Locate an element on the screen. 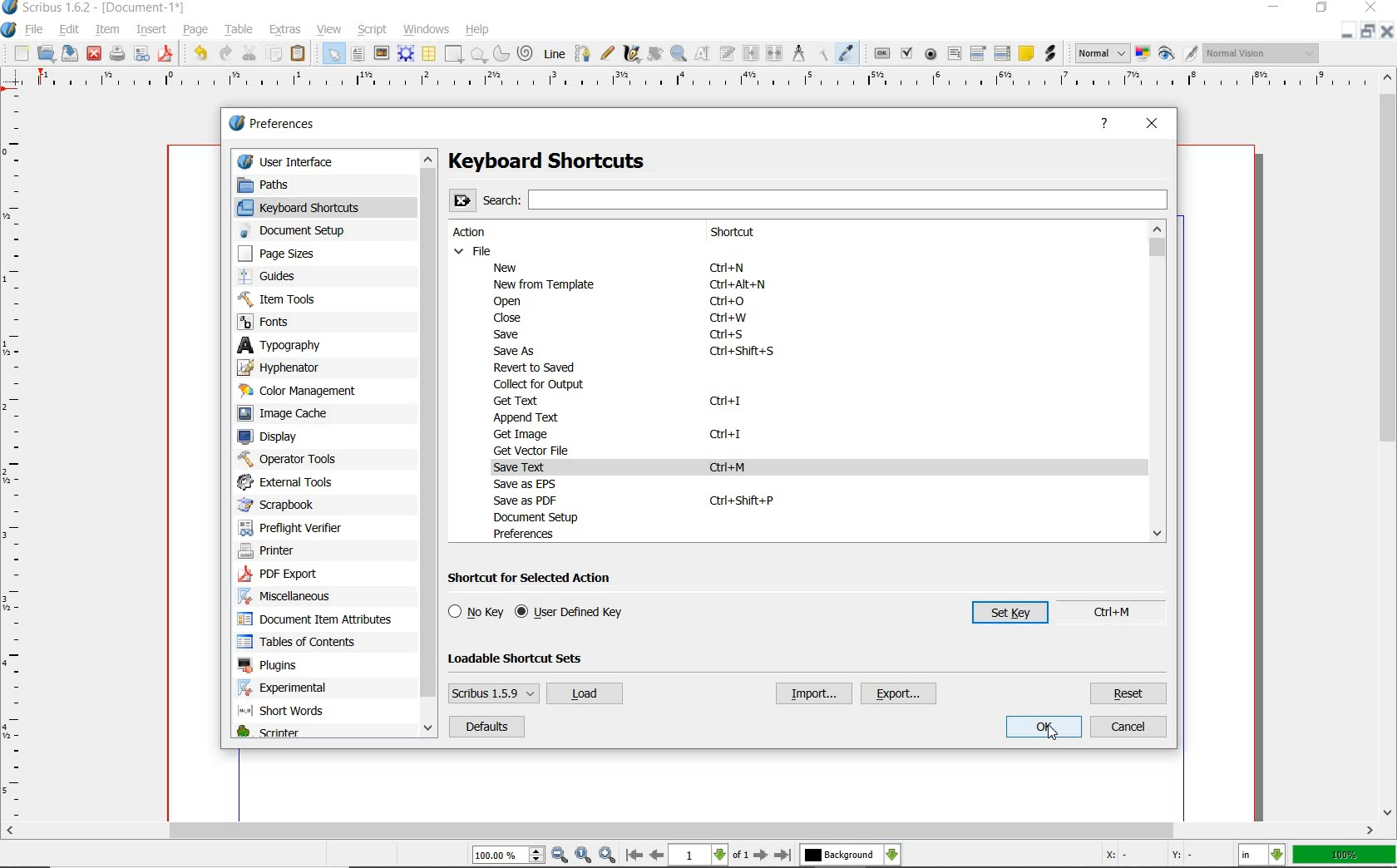  page sizes is located at coordinates (289, 254).